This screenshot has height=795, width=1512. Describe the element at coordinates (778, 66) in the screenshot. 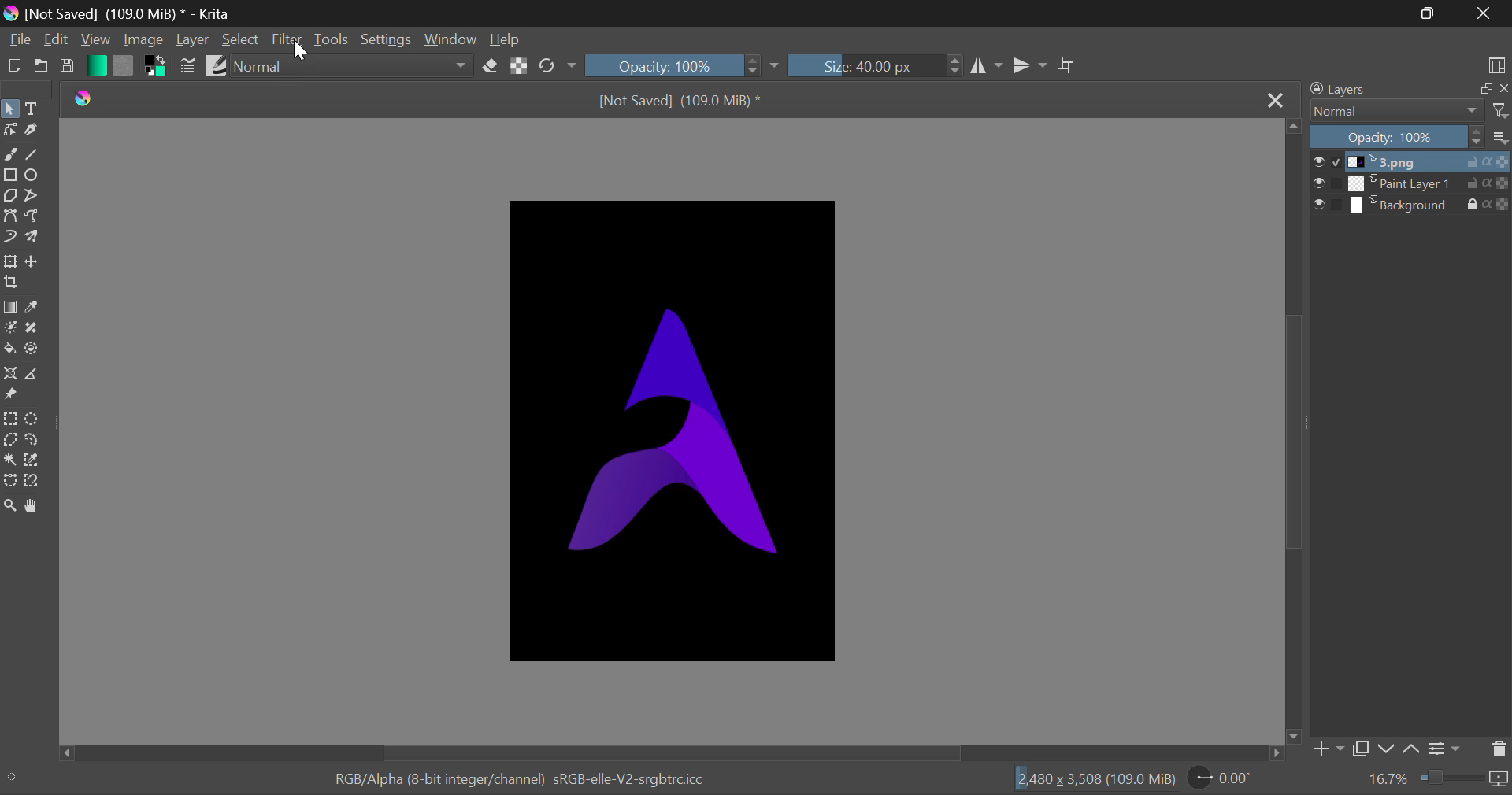

I see `dropdown` at that location.